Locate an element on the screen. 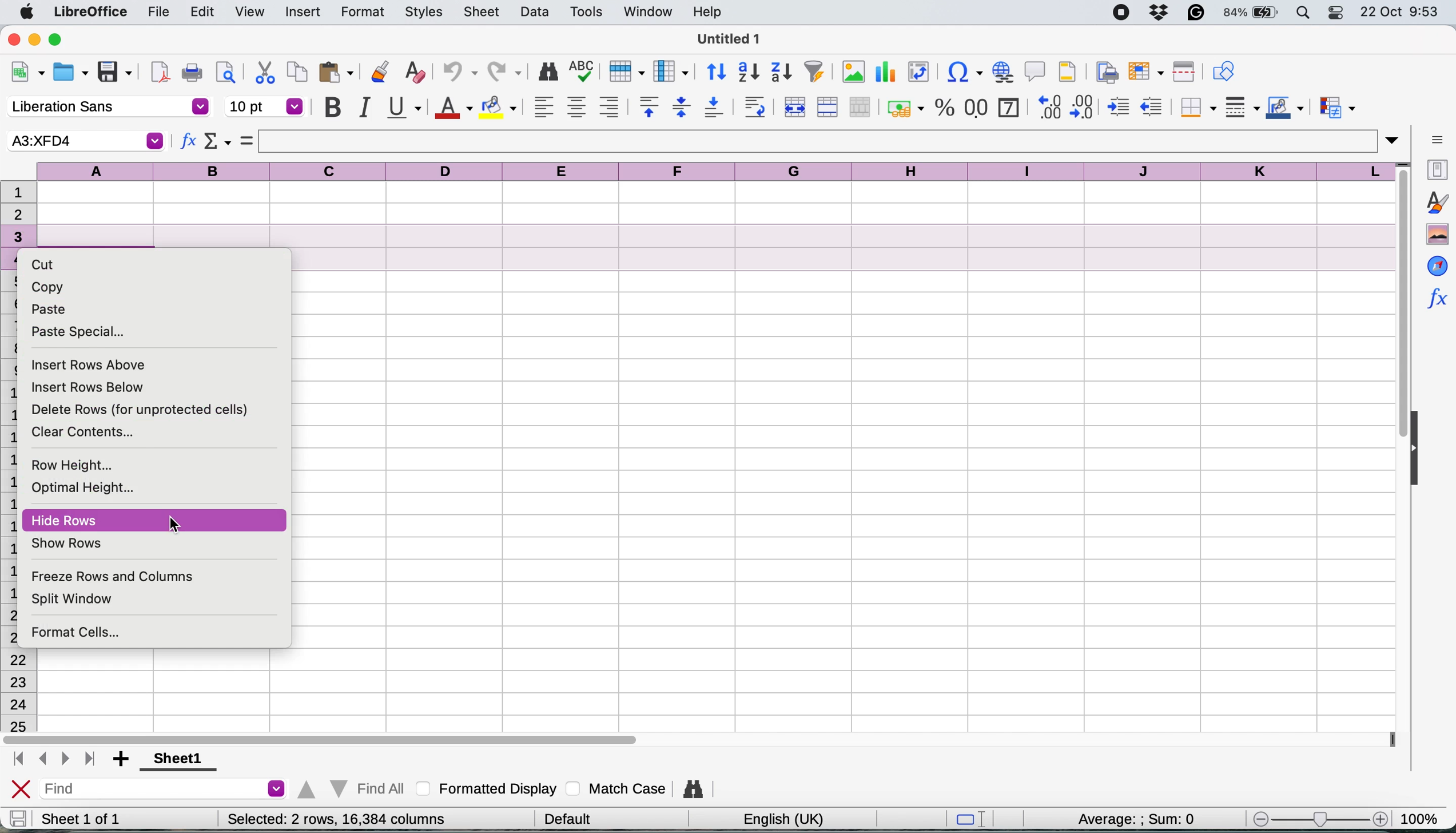  add decimal place is located at coordinates (1047, 106).